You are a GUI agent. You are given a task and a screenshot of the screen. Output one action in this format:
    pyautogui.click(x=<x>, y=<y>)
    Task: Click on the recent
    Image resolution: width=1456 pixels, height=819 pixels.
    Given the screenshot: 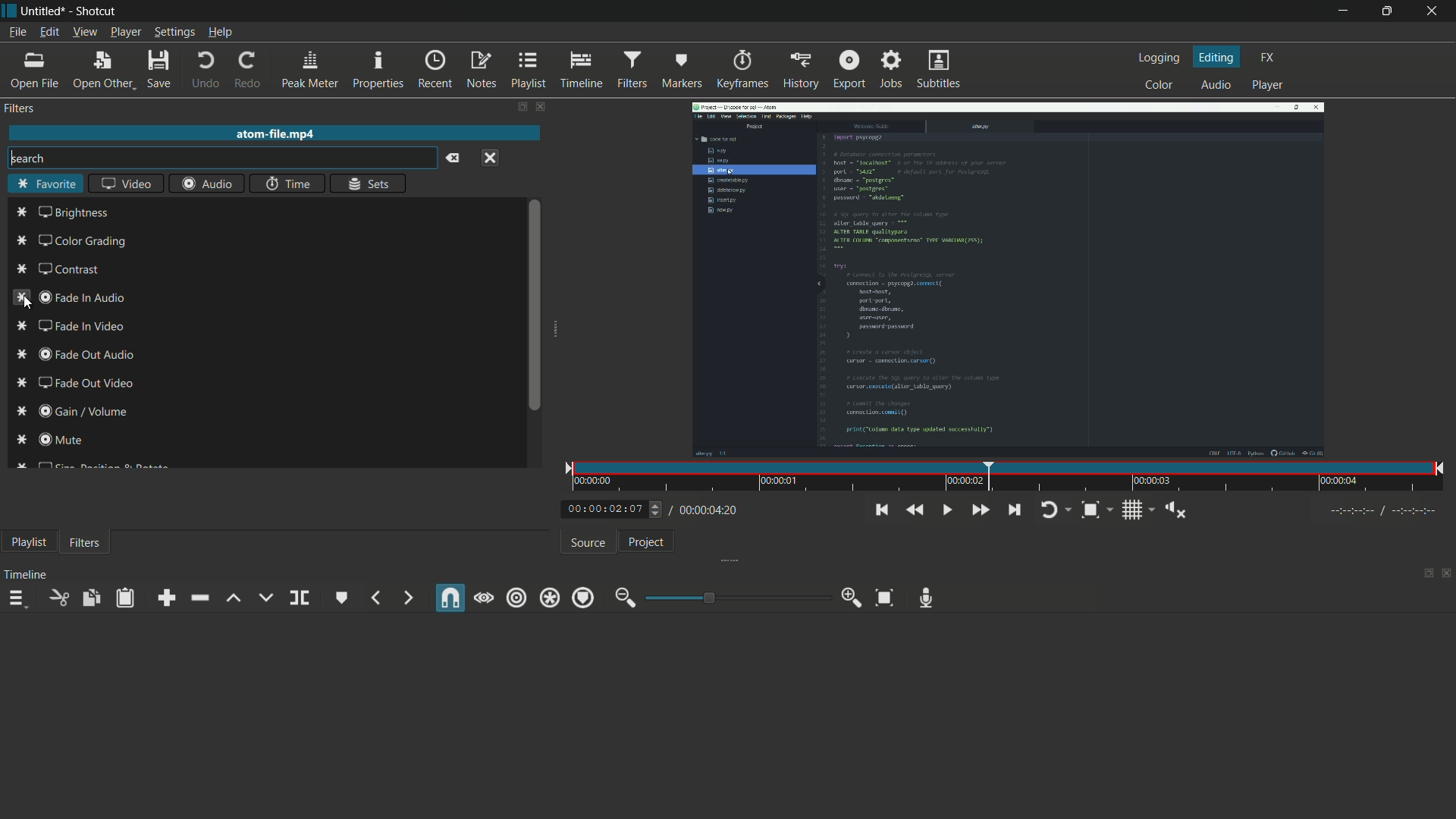 What is the action you would take?
    pyautogui.click(x=433, y=70)
    